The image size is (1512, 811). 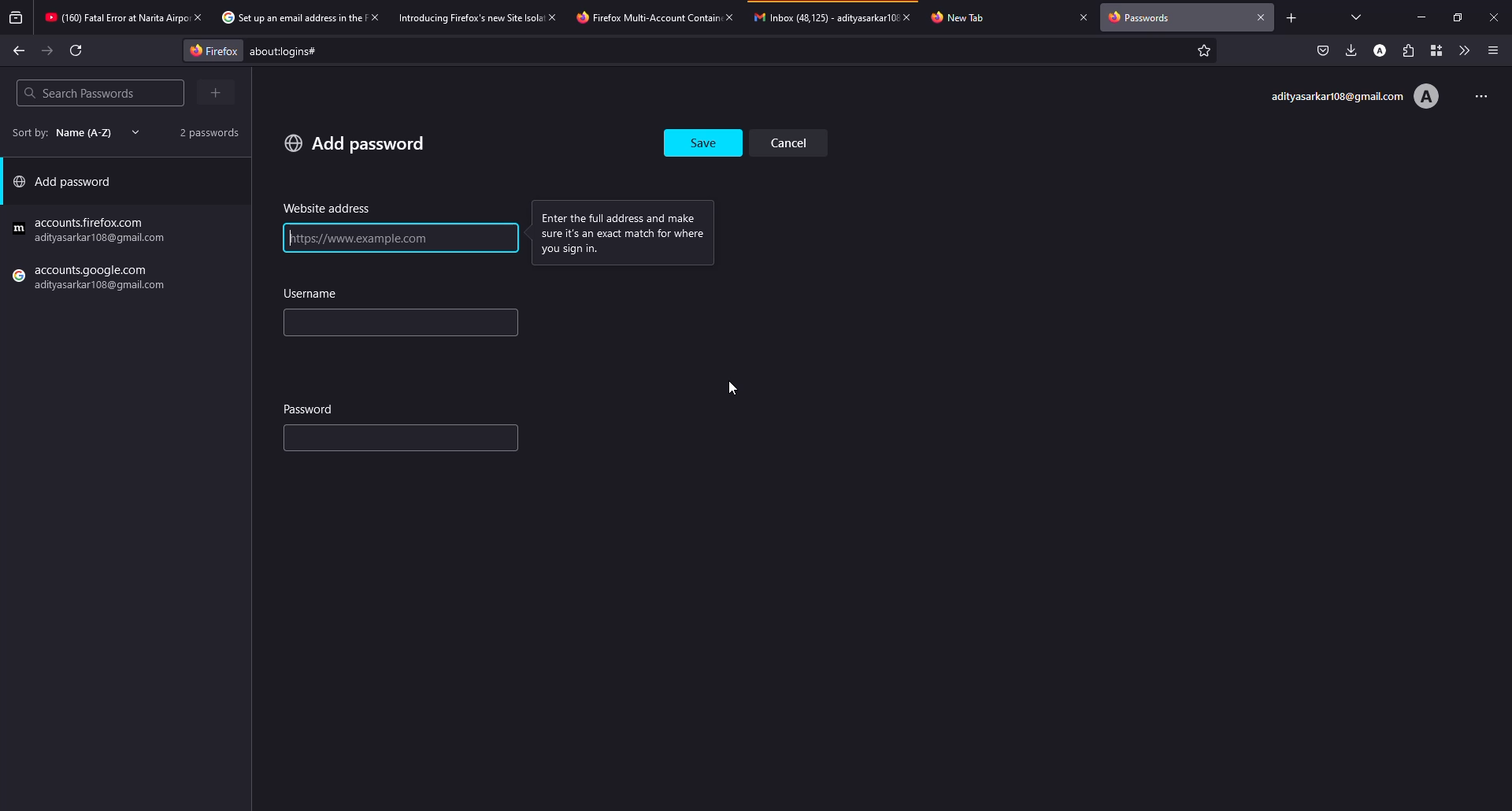 What do you see at coordinates (554, 17) in the screenshot?
I see `close` at bounding box center [554, 17].